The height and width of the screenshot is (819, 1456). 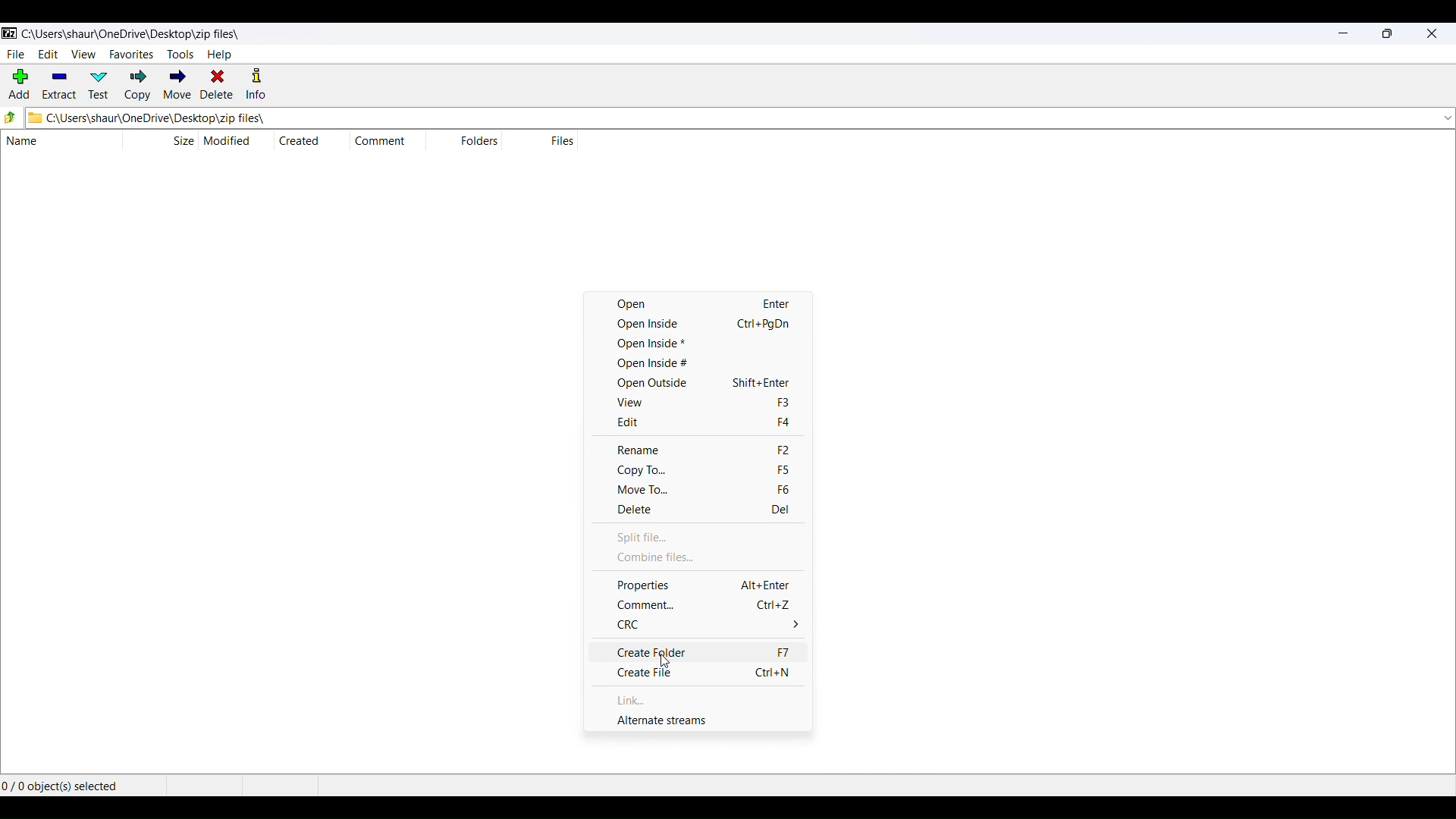 What do you see at coordinates (711, 558) in the screenshot?
I see `COMBINE FILE` at bounding box center [711, 558].